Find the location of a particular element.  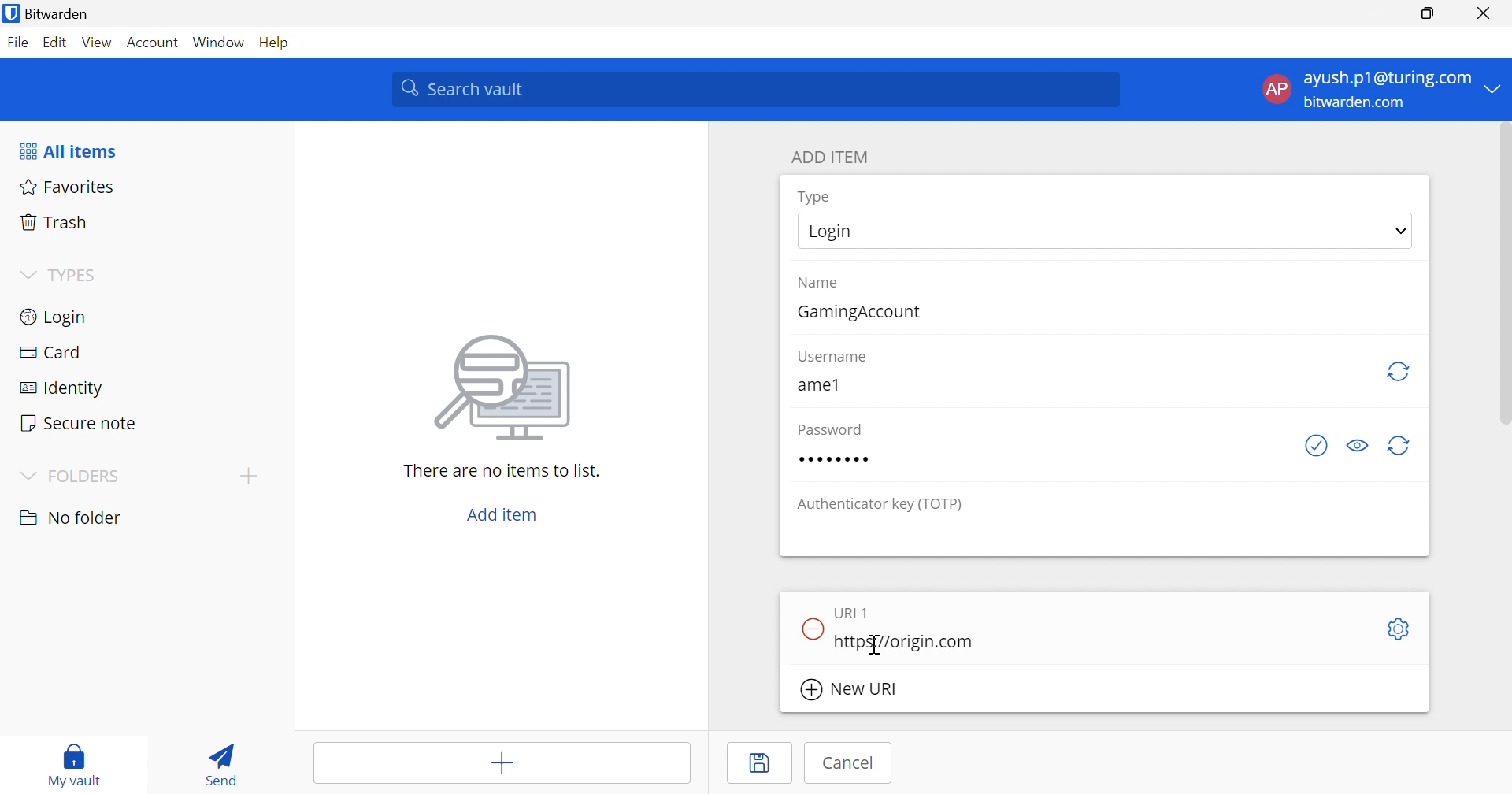

bitwarden.com is located at coordinates (1355, 103).